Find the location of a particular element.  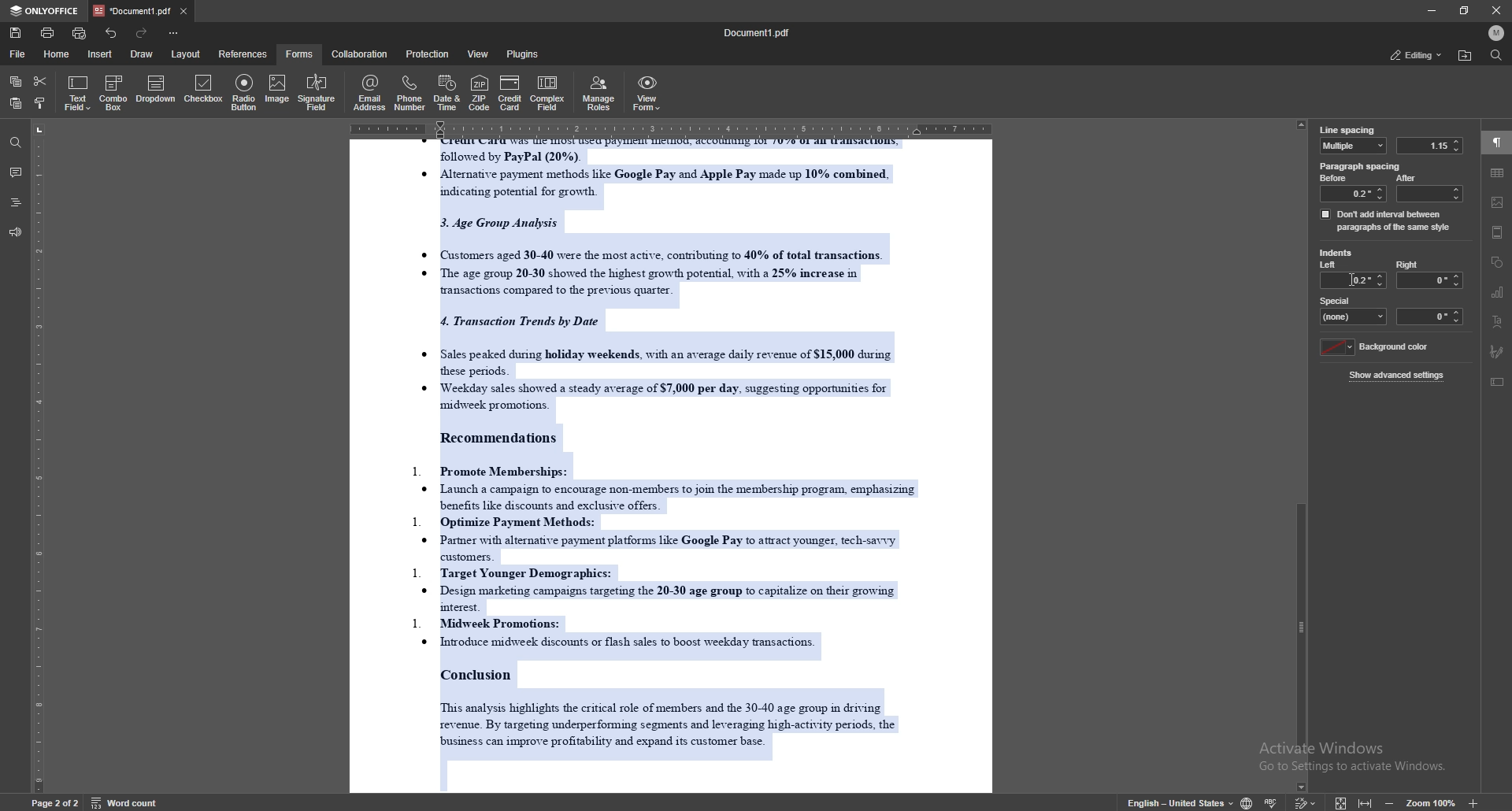

layout is located at coordinates (185, 54).